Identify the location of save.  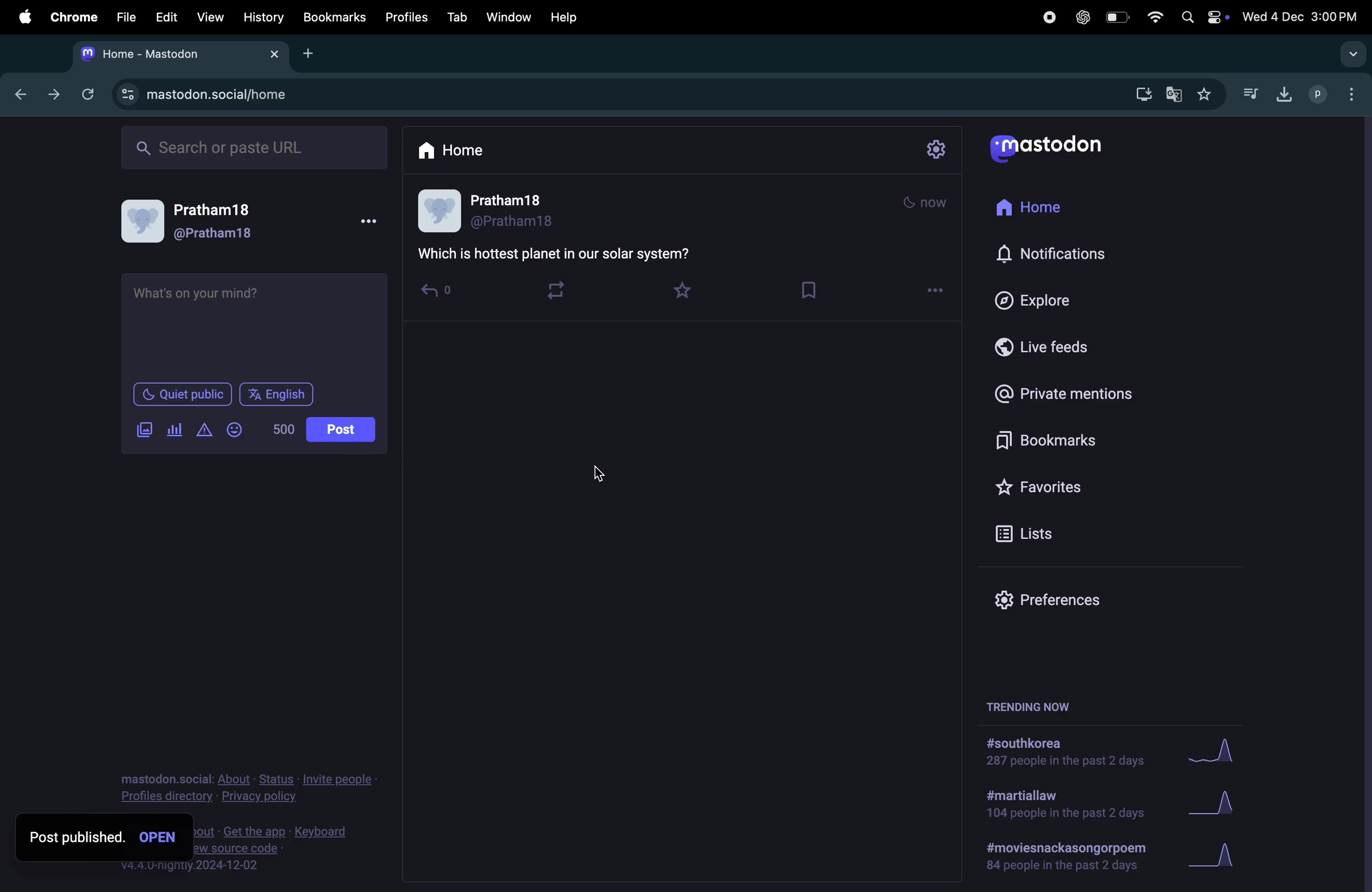
(814, 291).